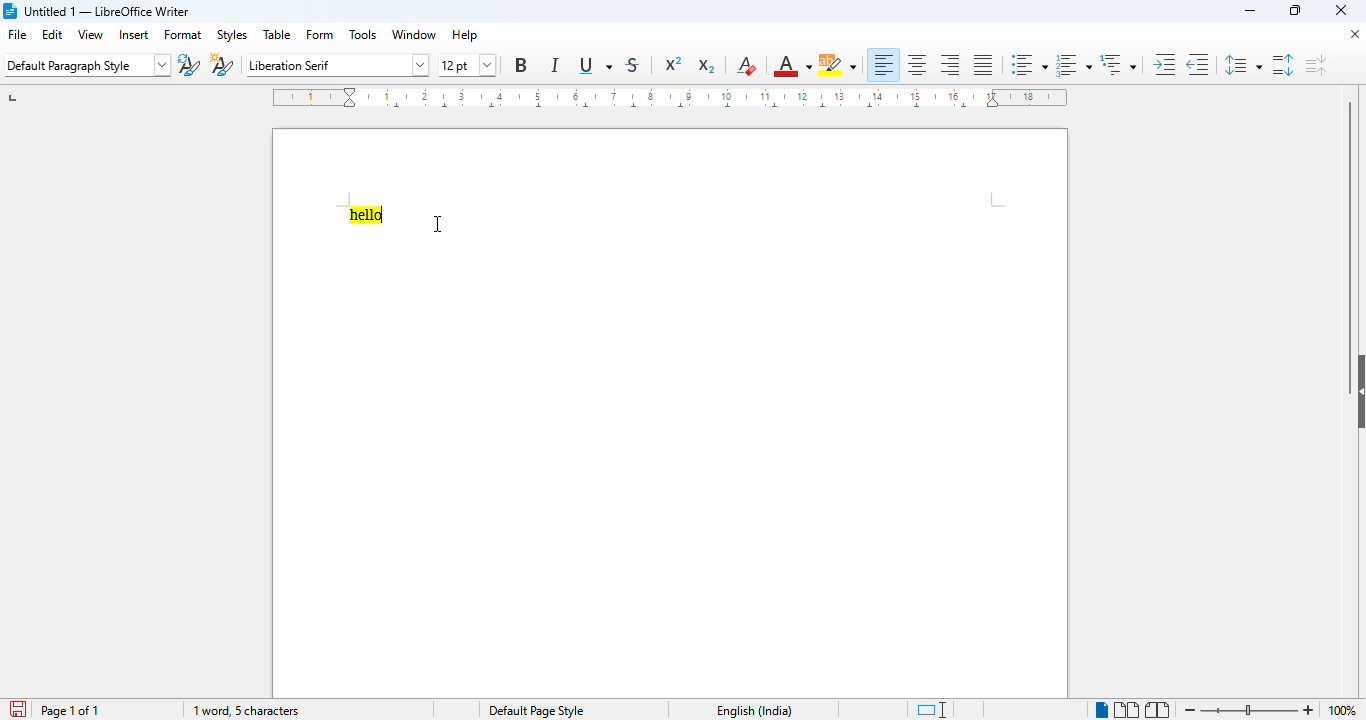  Describe the element at coordinates (1158, 709) in the screenshot. I see `book view` at that location.